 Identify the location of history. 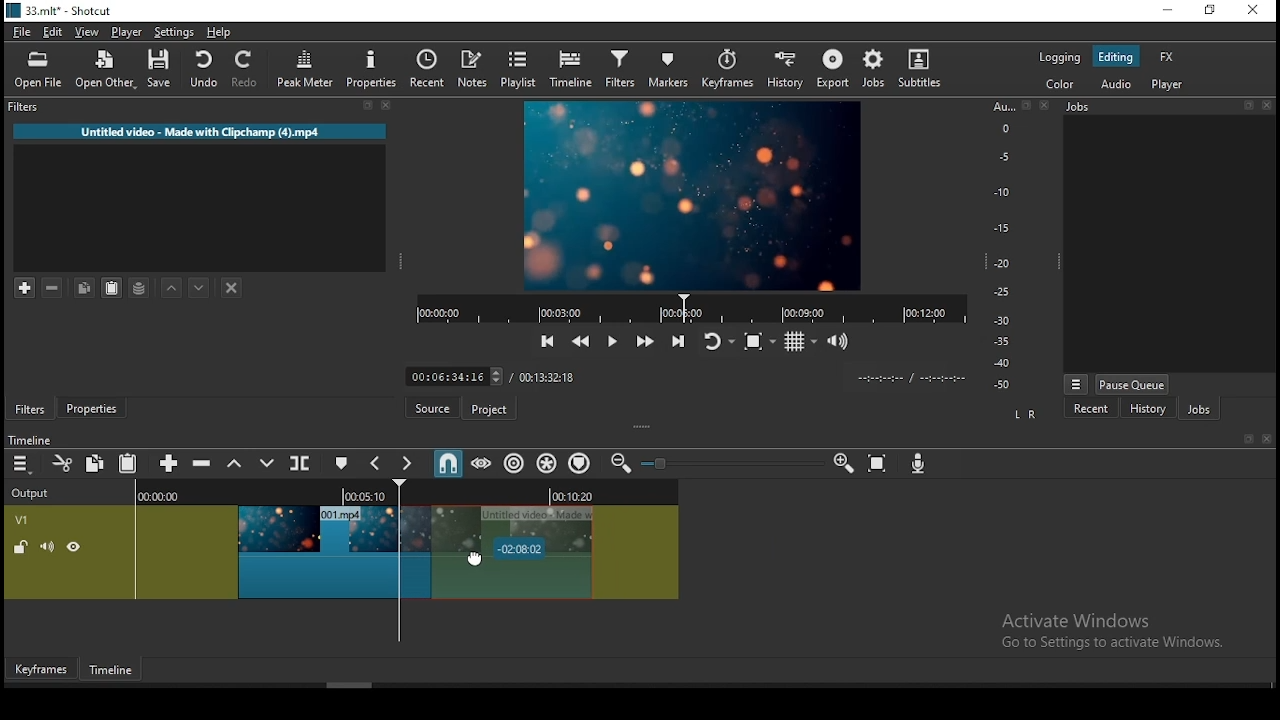
(1146, 409).